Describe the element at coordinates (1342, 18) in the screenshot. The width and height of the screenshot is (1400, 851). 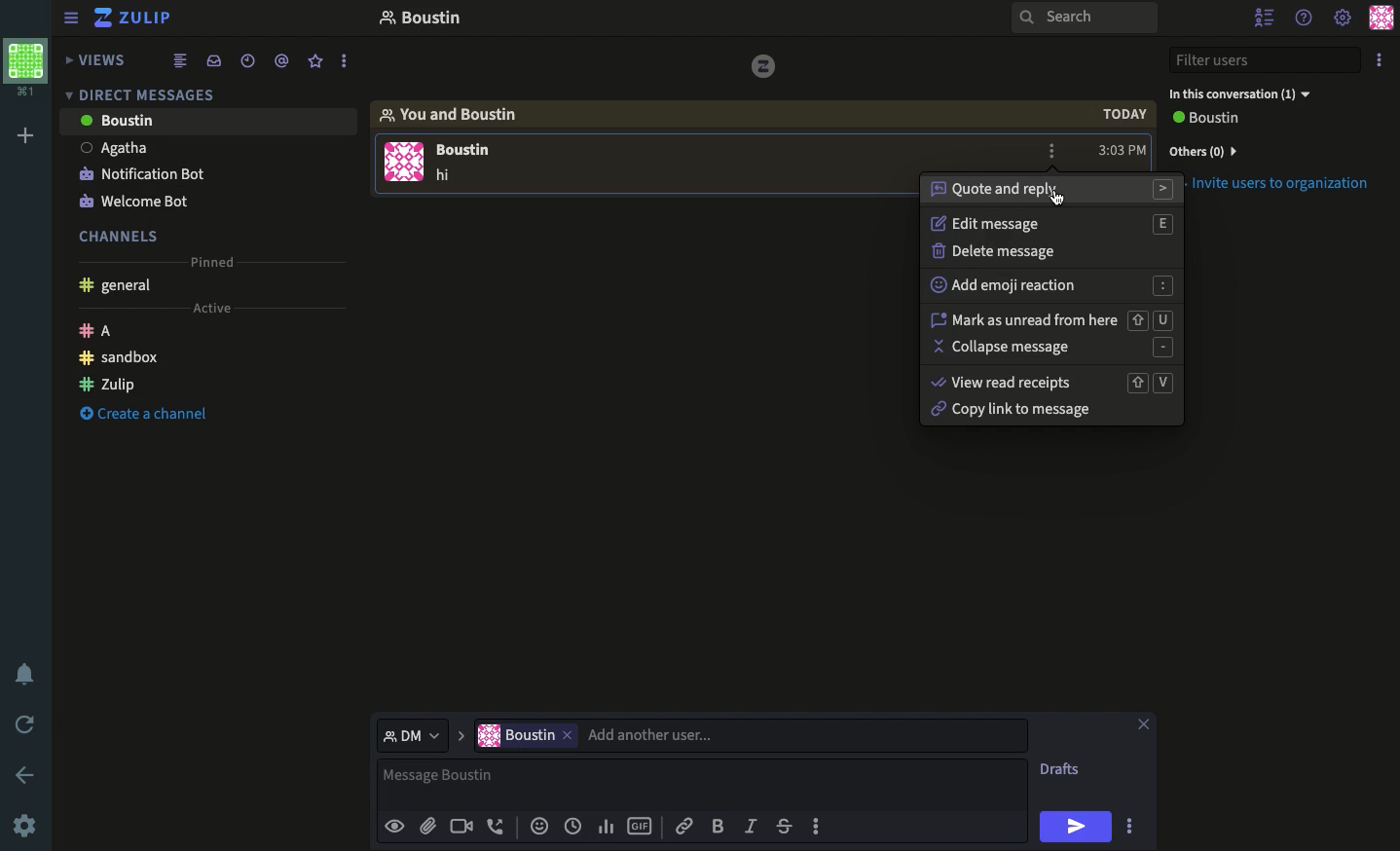
I see `Settings` at that location.